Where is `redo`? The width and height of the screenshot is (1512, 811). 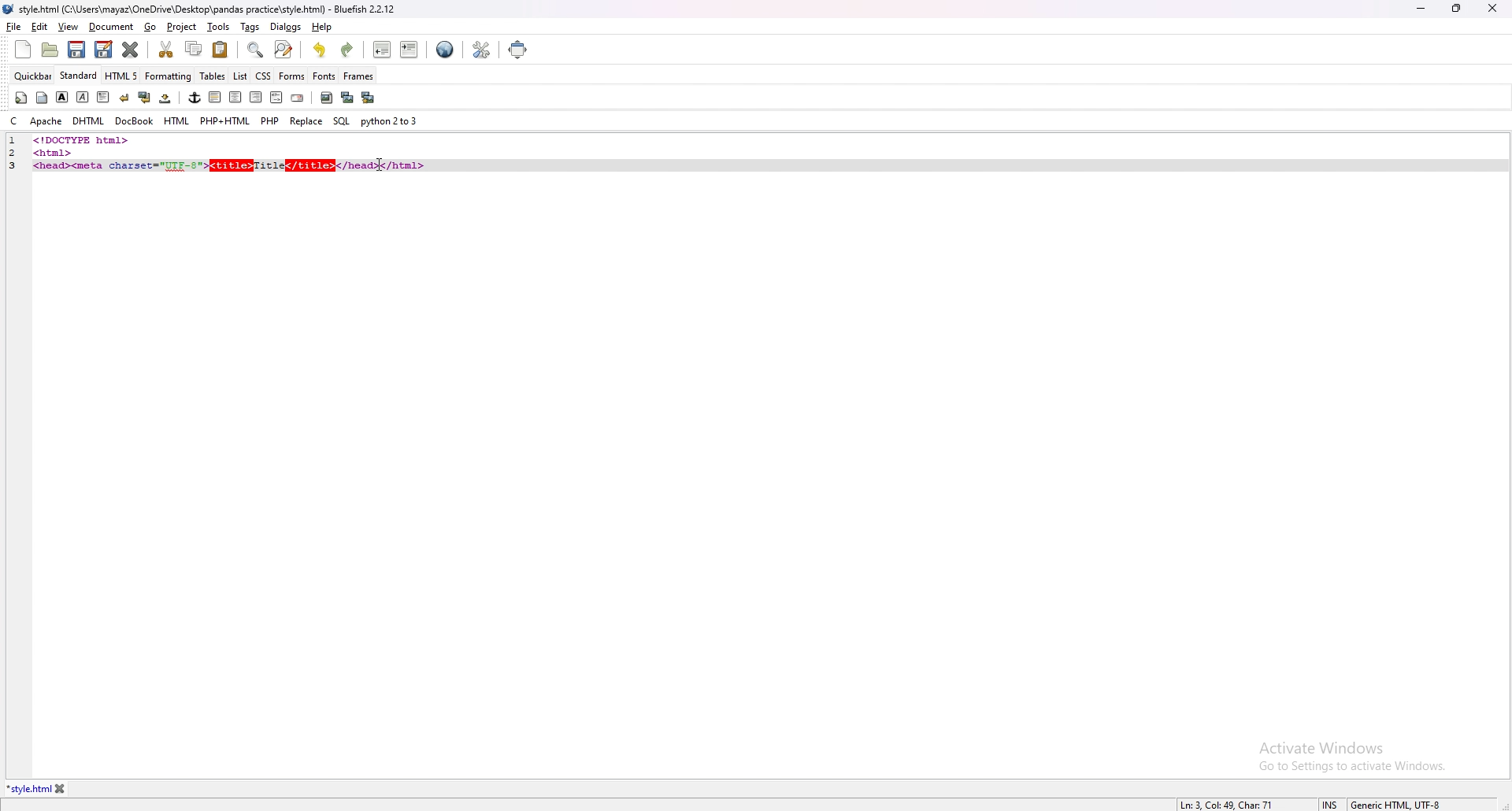 redo is located at coordinates (346, 50).